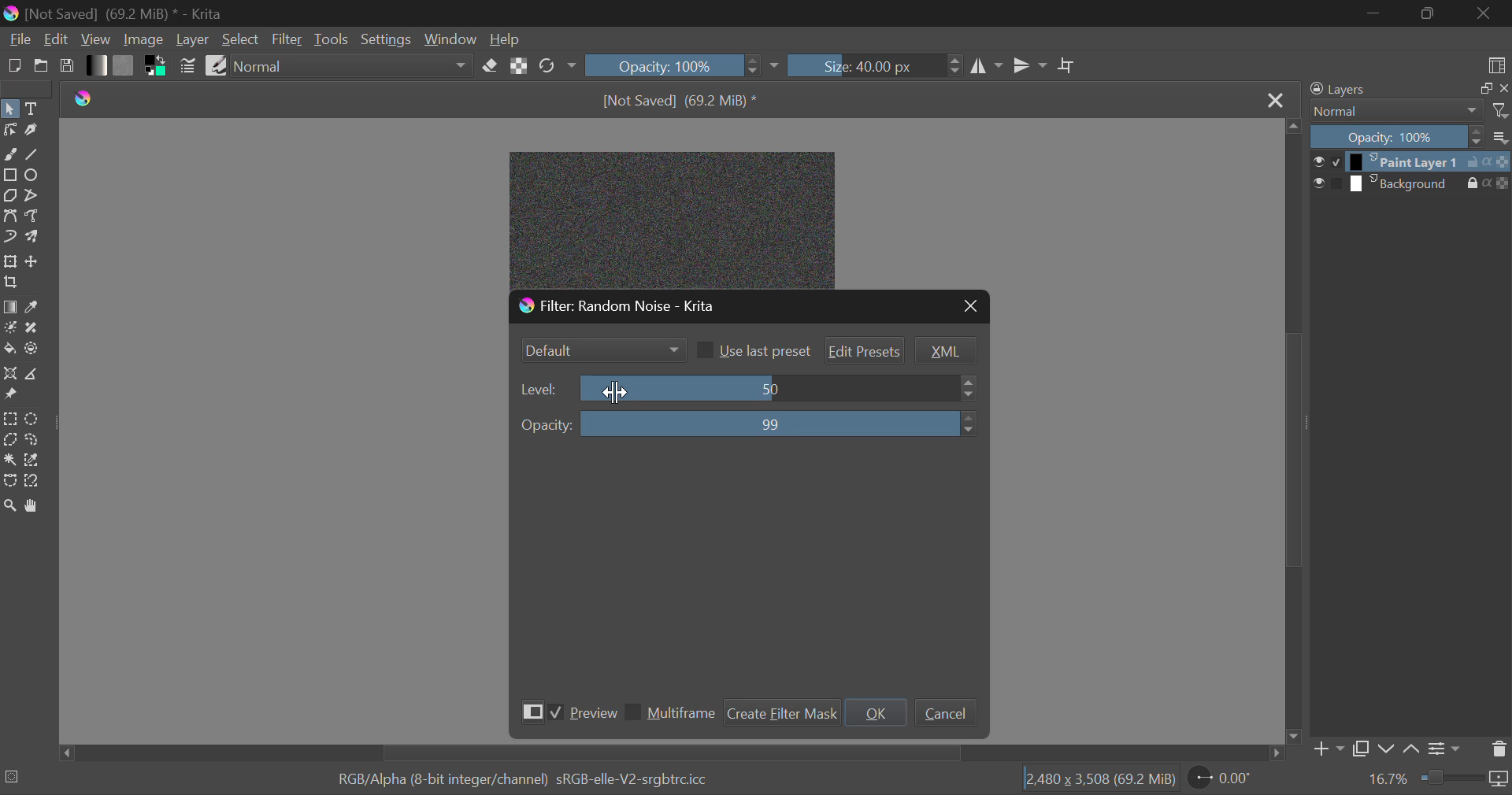 The height and width of the screenshot is (795, 1512). Describe the element at coordinates (1499, 182) in the screenshot. I see `opacity` at that location.